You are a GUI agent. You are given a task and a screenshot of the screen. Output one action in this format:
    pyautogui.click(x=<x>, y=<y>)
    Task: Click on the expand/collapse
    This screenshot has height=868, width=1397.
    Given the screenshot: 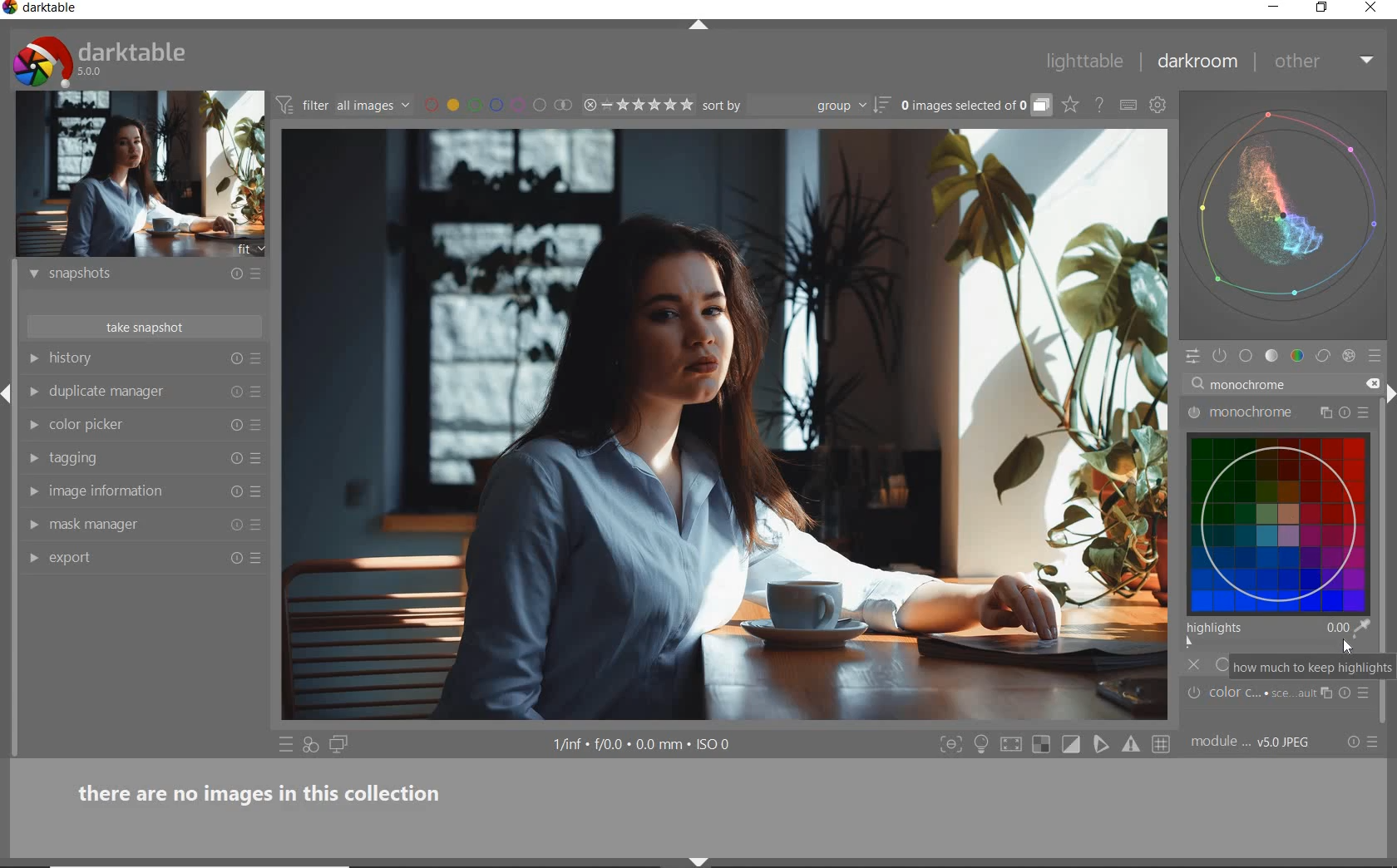 What is the action you would take?
    pyautogui.click(x=706, y=26)
    